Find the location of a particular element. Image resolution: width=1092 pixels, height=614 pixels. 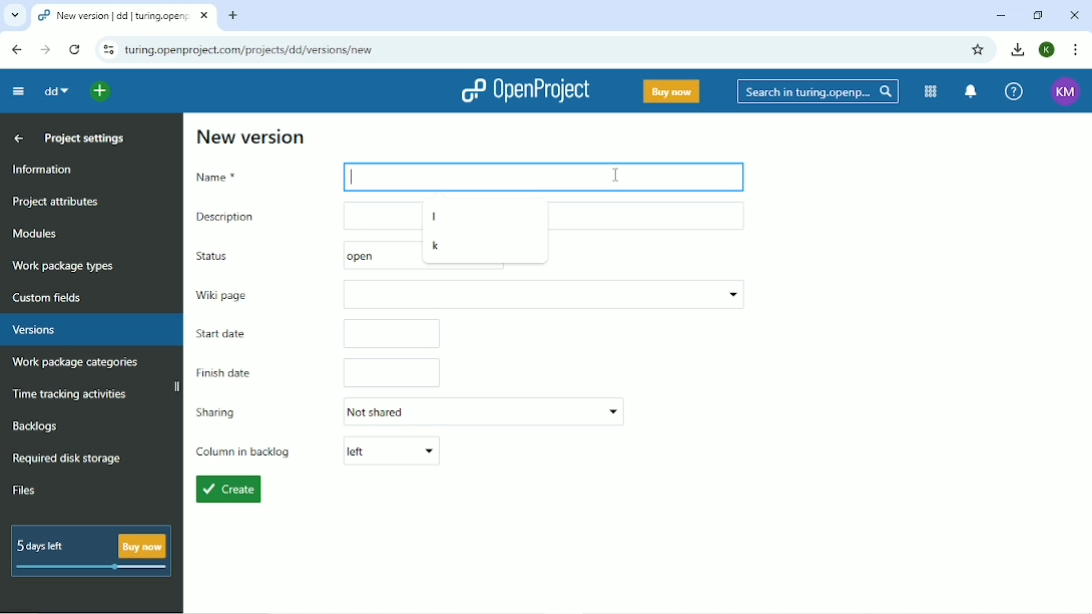

5 days left is located at coordinates (89, 552).